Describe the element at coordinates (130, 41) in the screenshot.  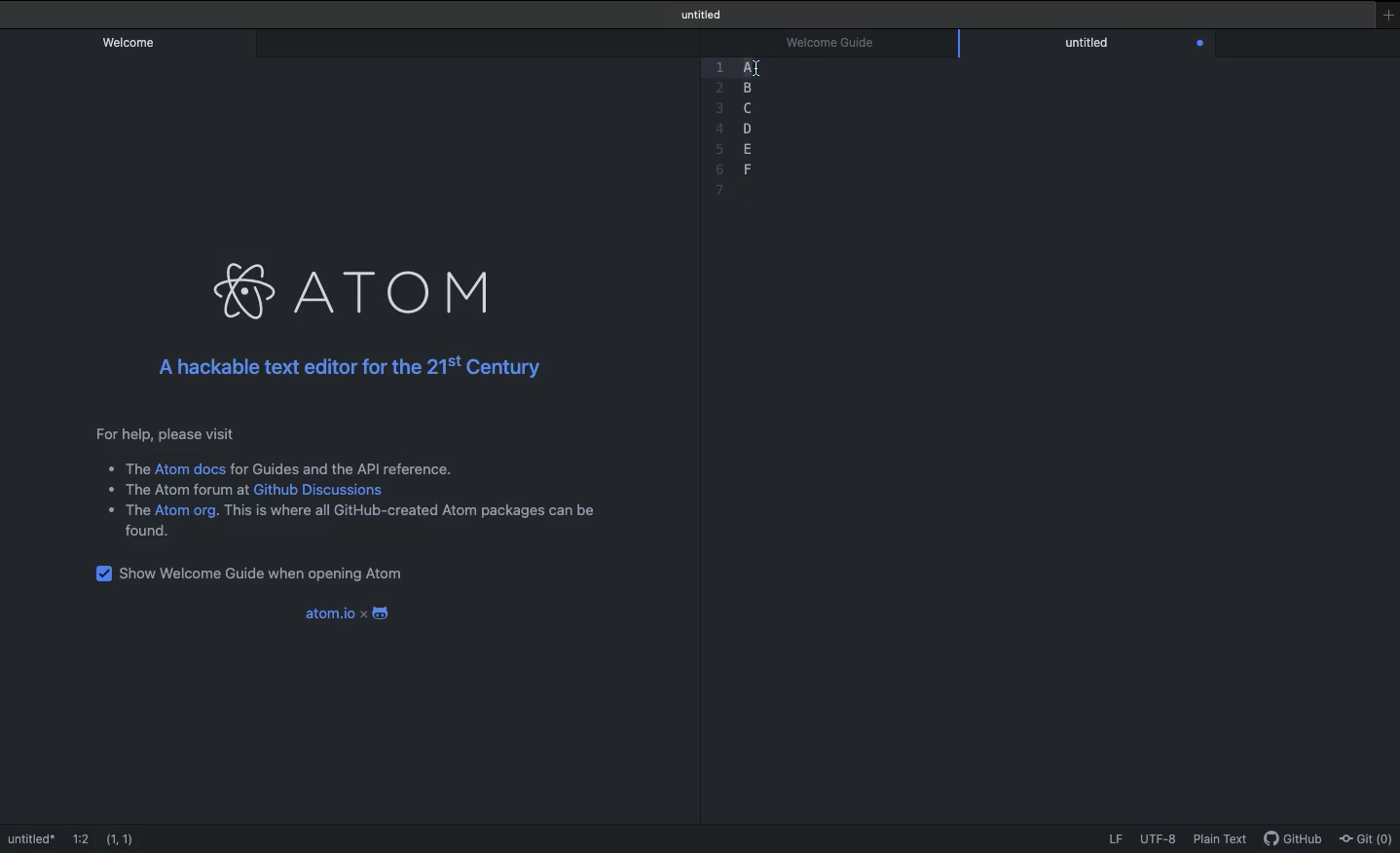
I see `Welcome` at that location.